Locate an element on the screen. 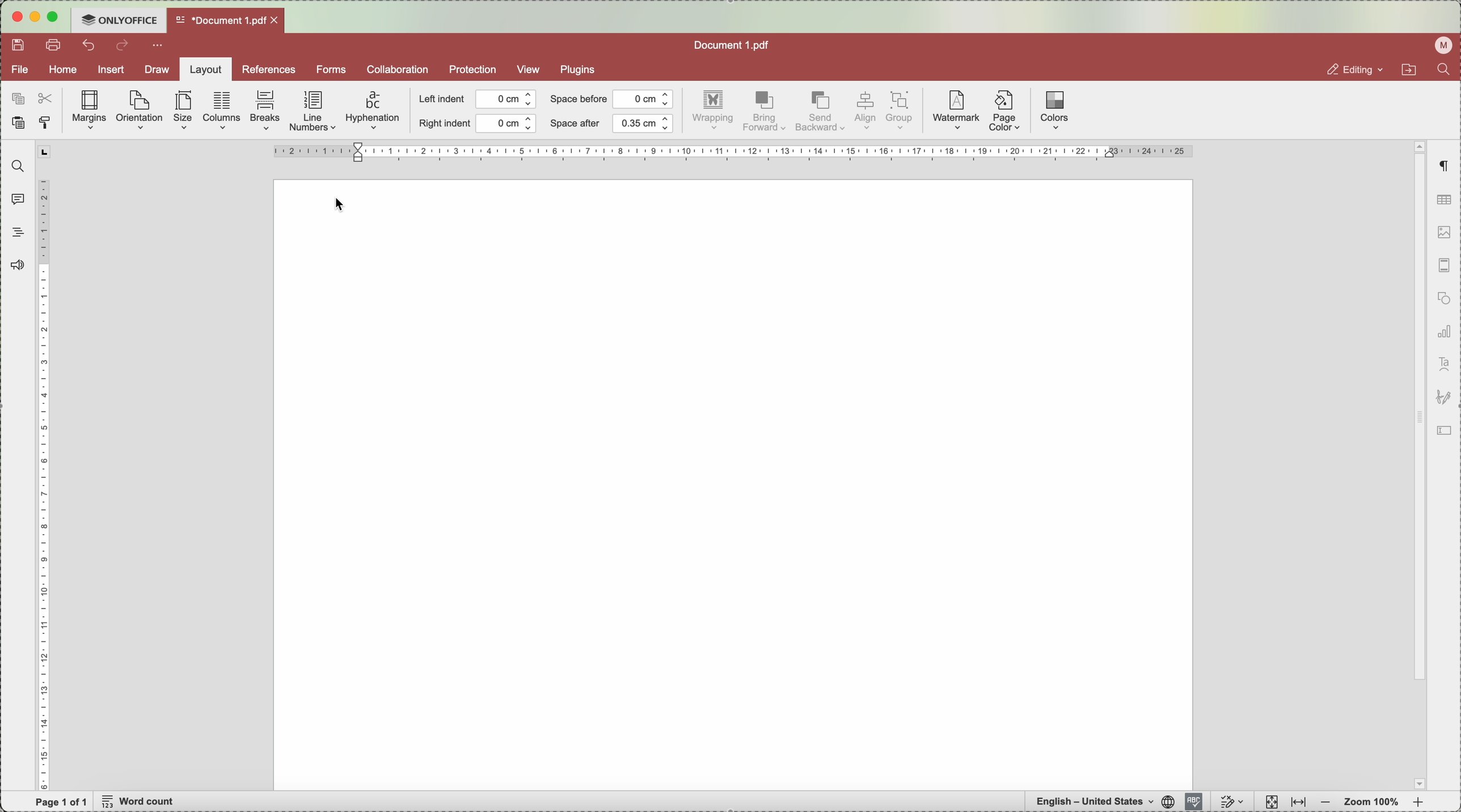 The width and height of the screenshot is (1461, 812). space after is located at coordinates (612, 124).